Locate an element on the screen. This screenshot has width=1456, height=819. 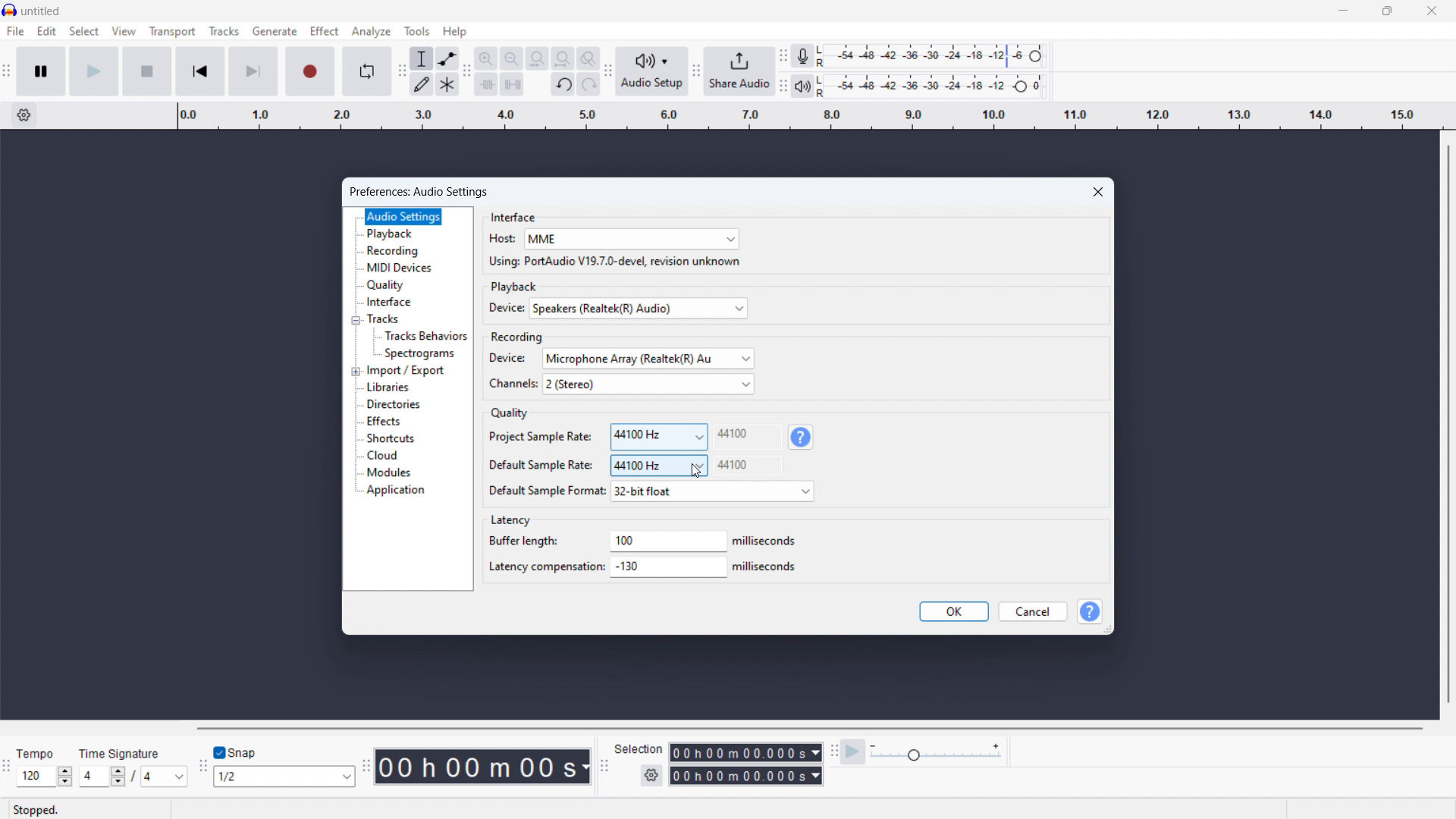
buffer length is located at coordinates (525, 540).